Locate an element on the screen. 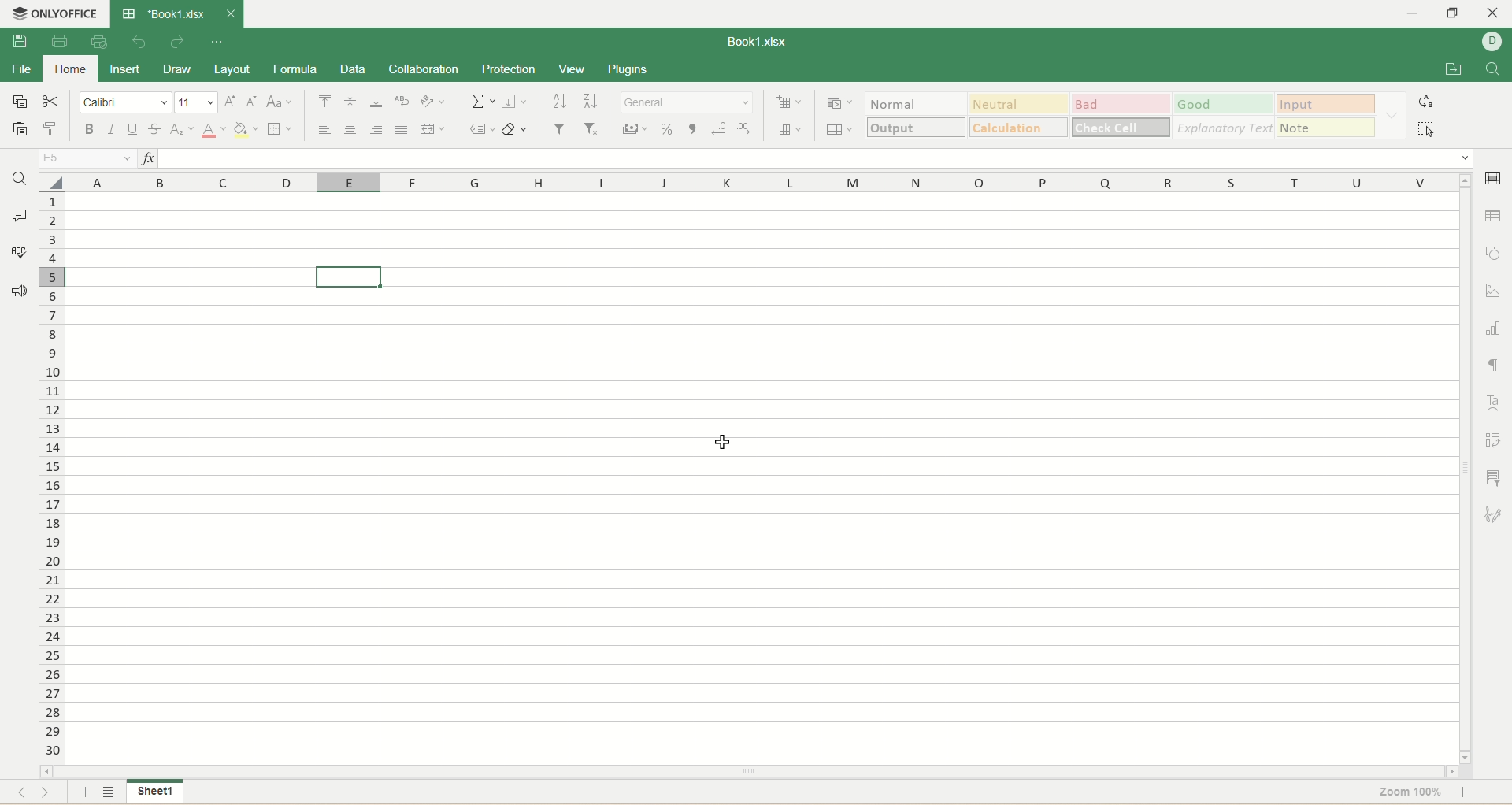 Image resolution: width=1512 pixels, height=805 pixels. copy style is located at coordinates (53, 130).